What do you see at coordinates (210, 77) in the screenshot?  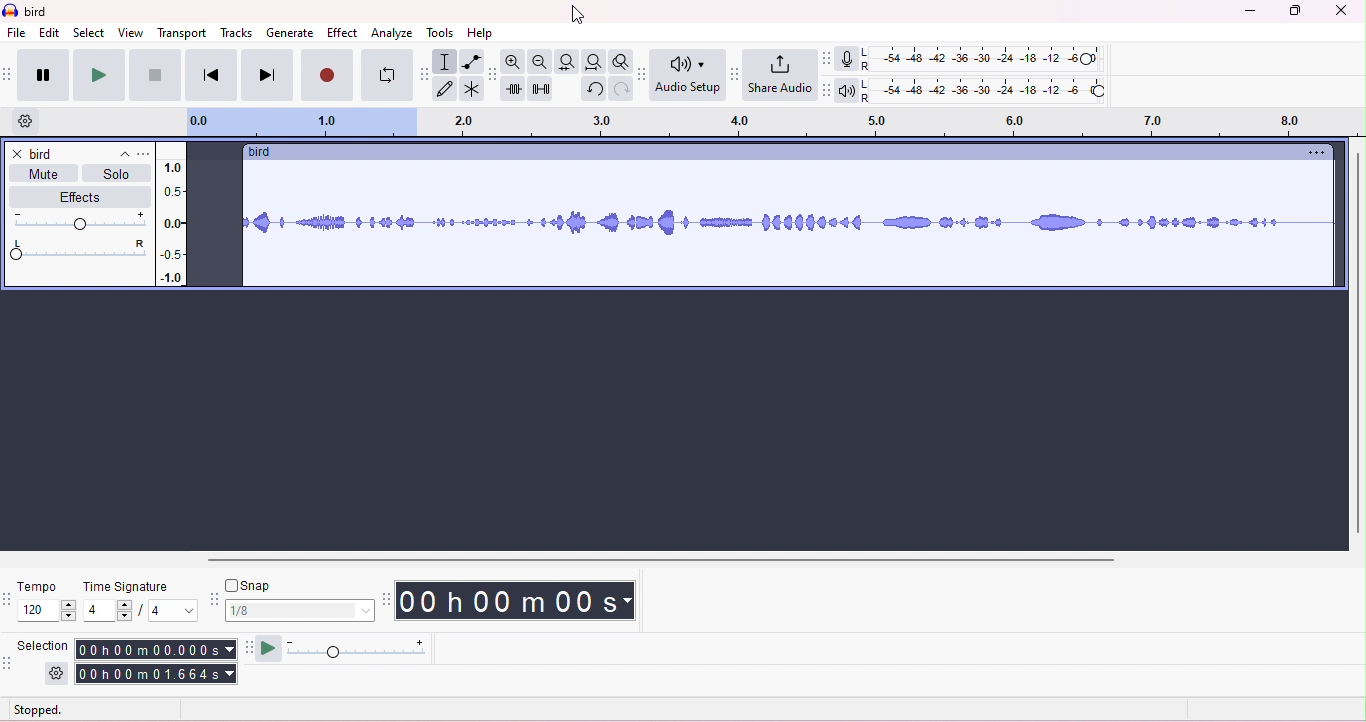 I see `previous` at bounding box center [210, 77].